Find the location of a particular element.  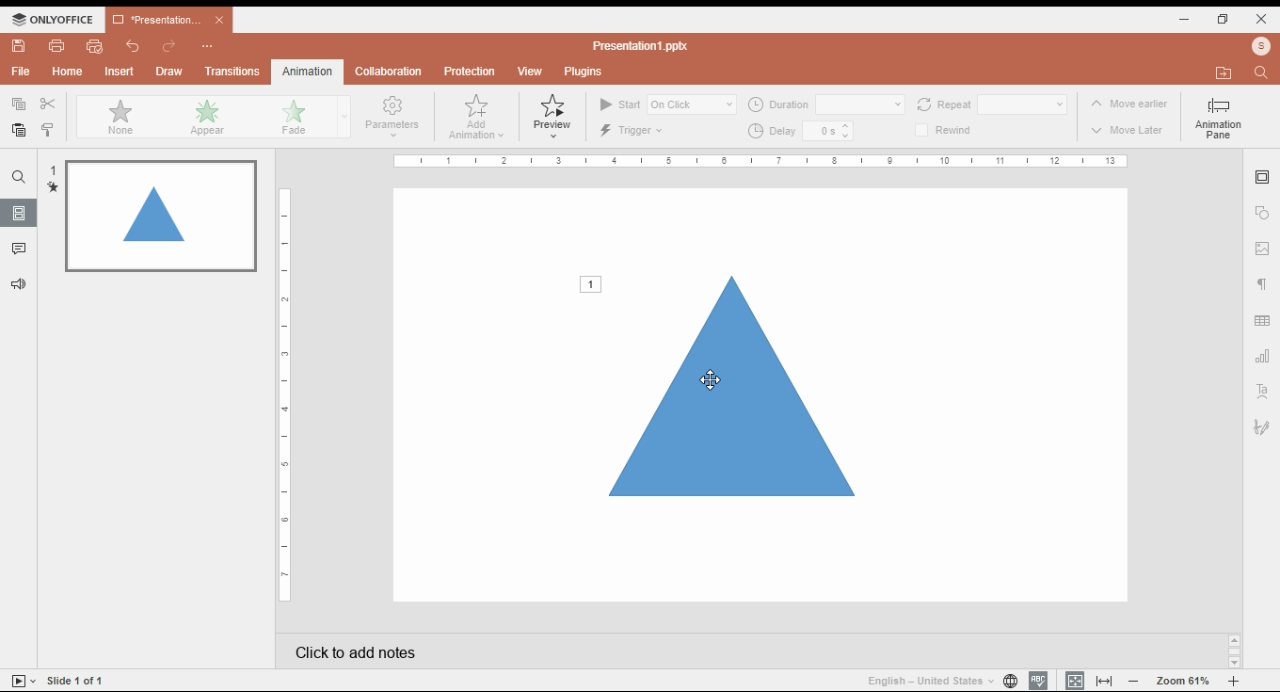

open file location is located at coordinates (1225, 74).